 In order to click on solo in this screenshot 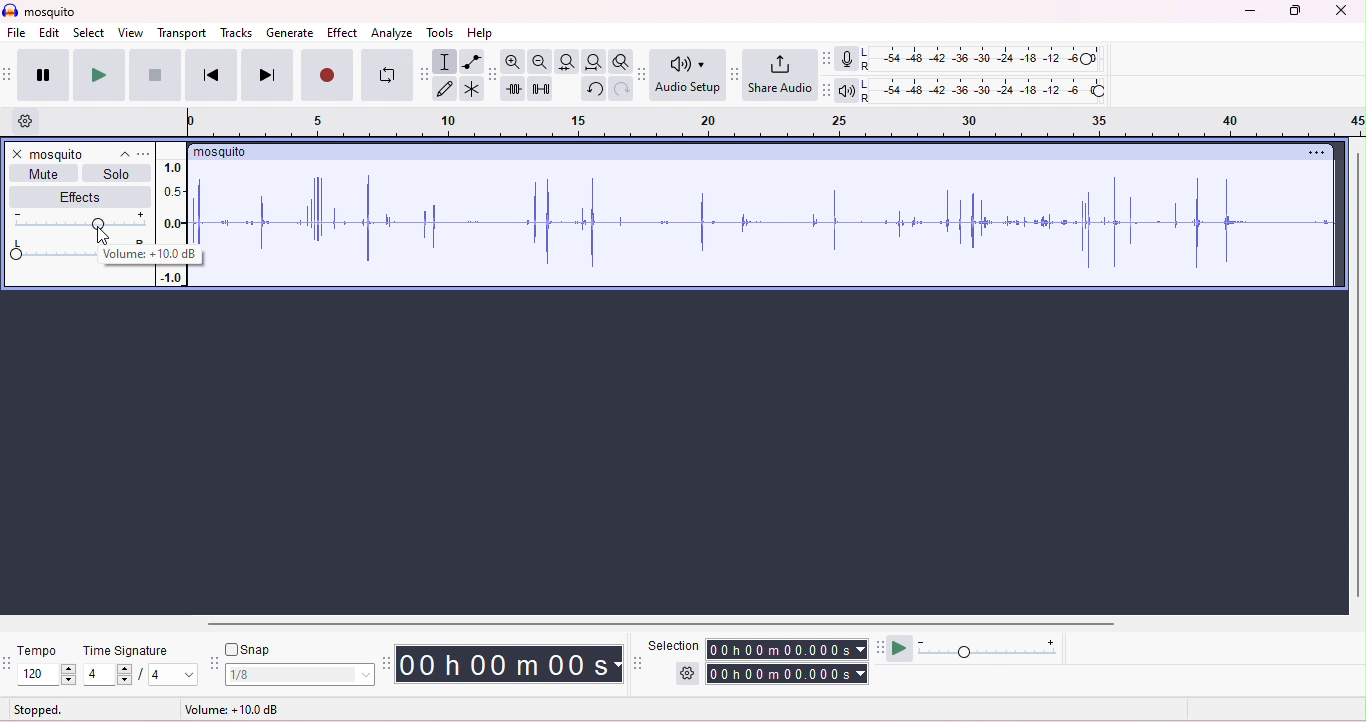, I will do `click(116, 172)`.